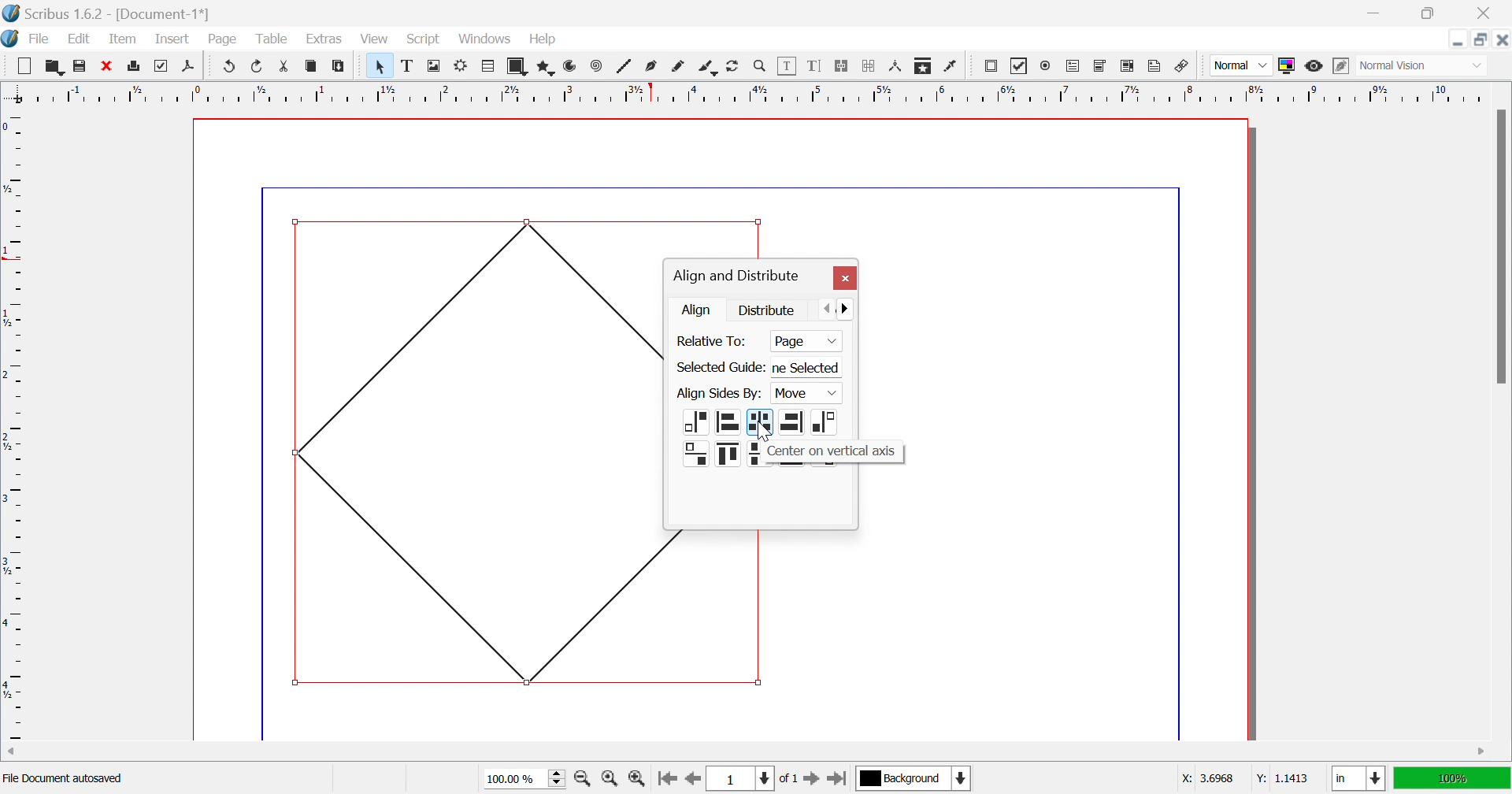 The width and height of the screenshot is (1512, 794). Describe the element at coordinates (719, 368) in the screenshot. I see `Select Guide` at that location.